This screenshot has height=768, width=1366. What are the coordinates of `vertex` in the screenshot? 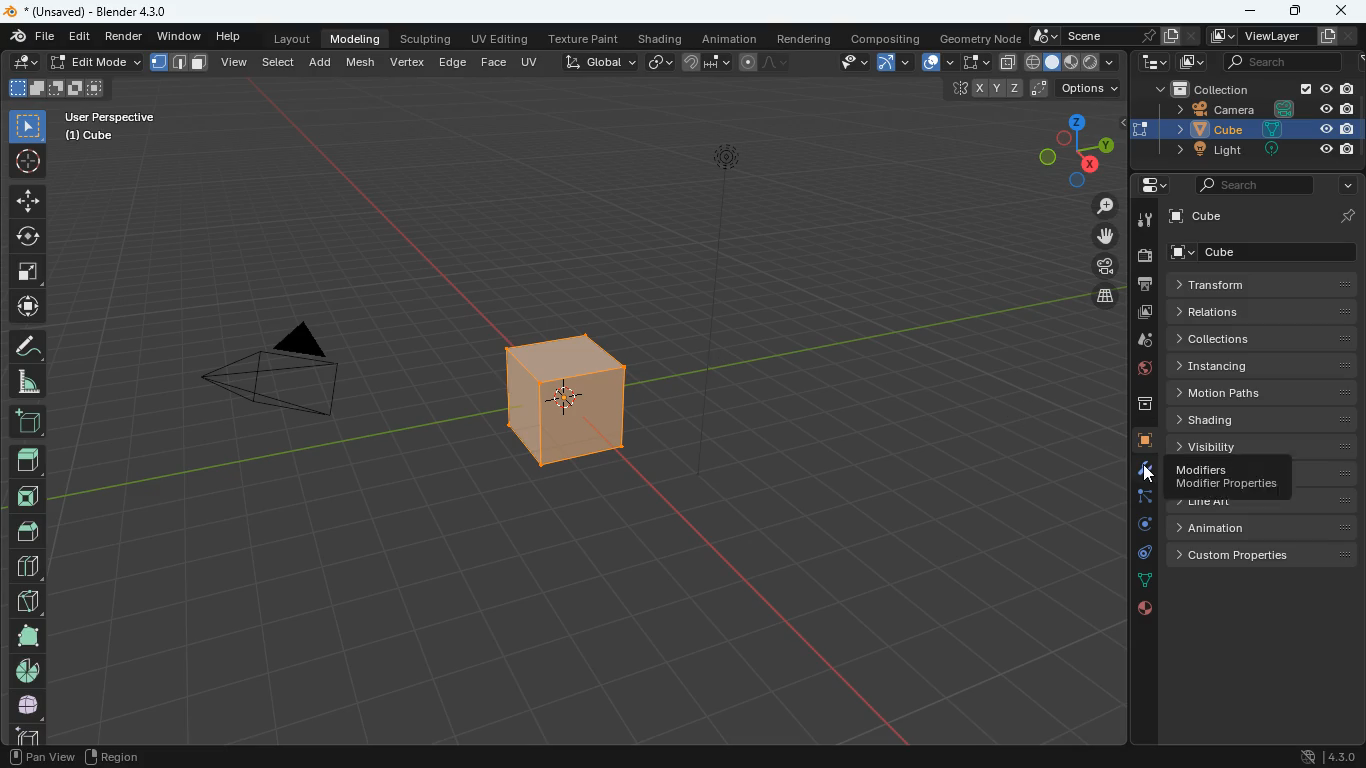 It's located at (409, 62).